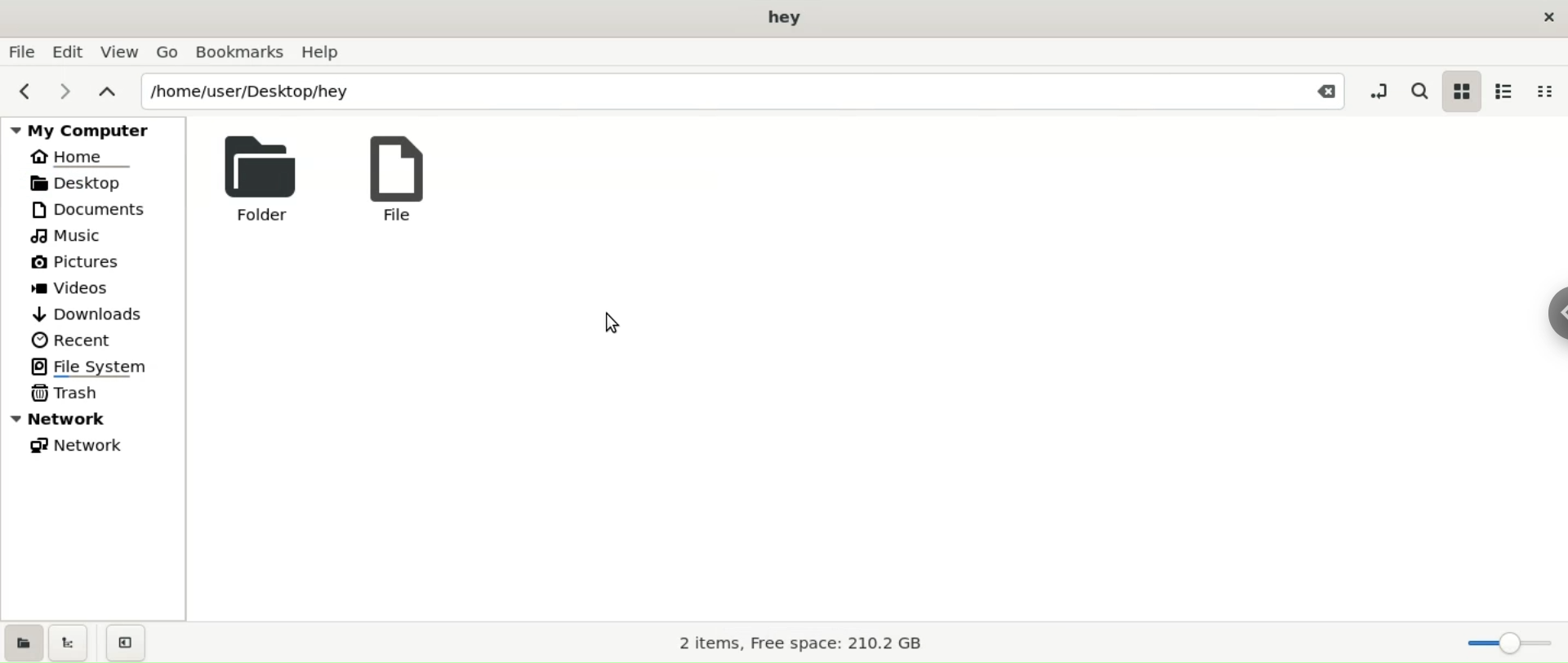 This screenshot has height=663, width=1568. I want to click on show tree view, so click(73, 644).